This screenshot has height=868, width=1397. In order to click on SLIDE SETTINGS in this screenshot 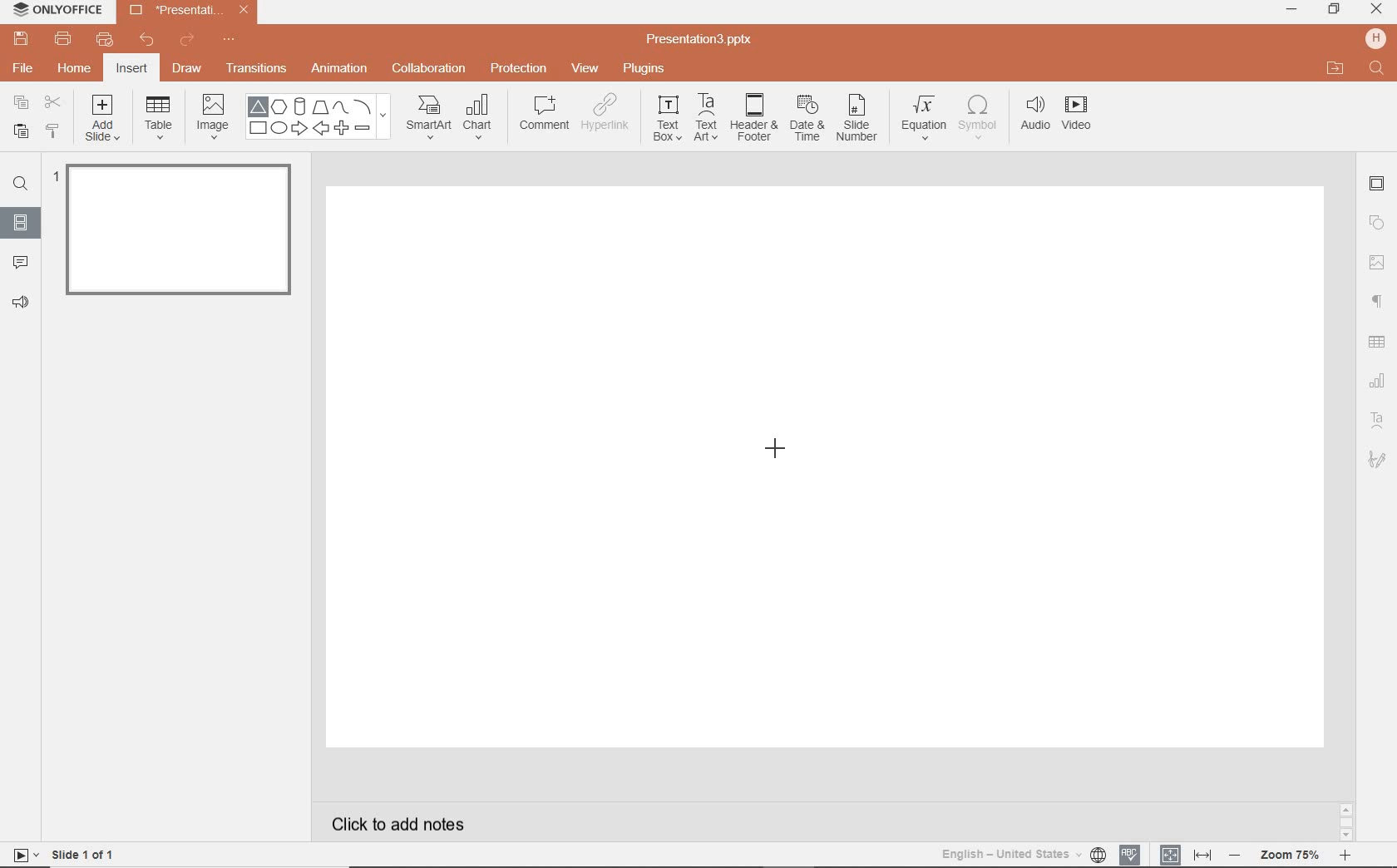, I will do `click(1377, 185)`.